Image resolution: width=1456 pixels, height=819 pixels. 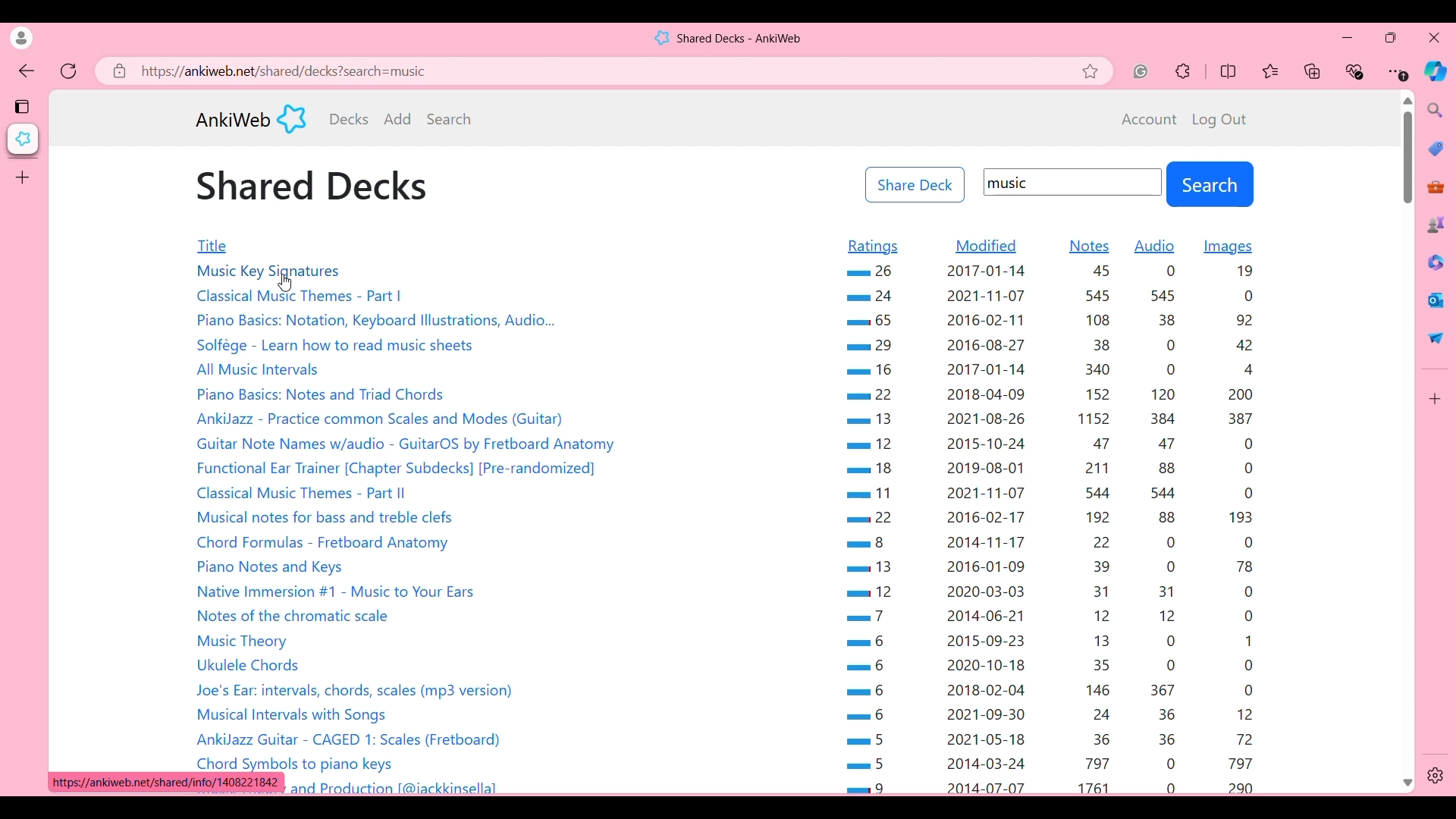 What do you see at coordinates (403, 789) in the screenshot?
I see `and Production [@iackkinsellal` at bounding box center [403, 789].